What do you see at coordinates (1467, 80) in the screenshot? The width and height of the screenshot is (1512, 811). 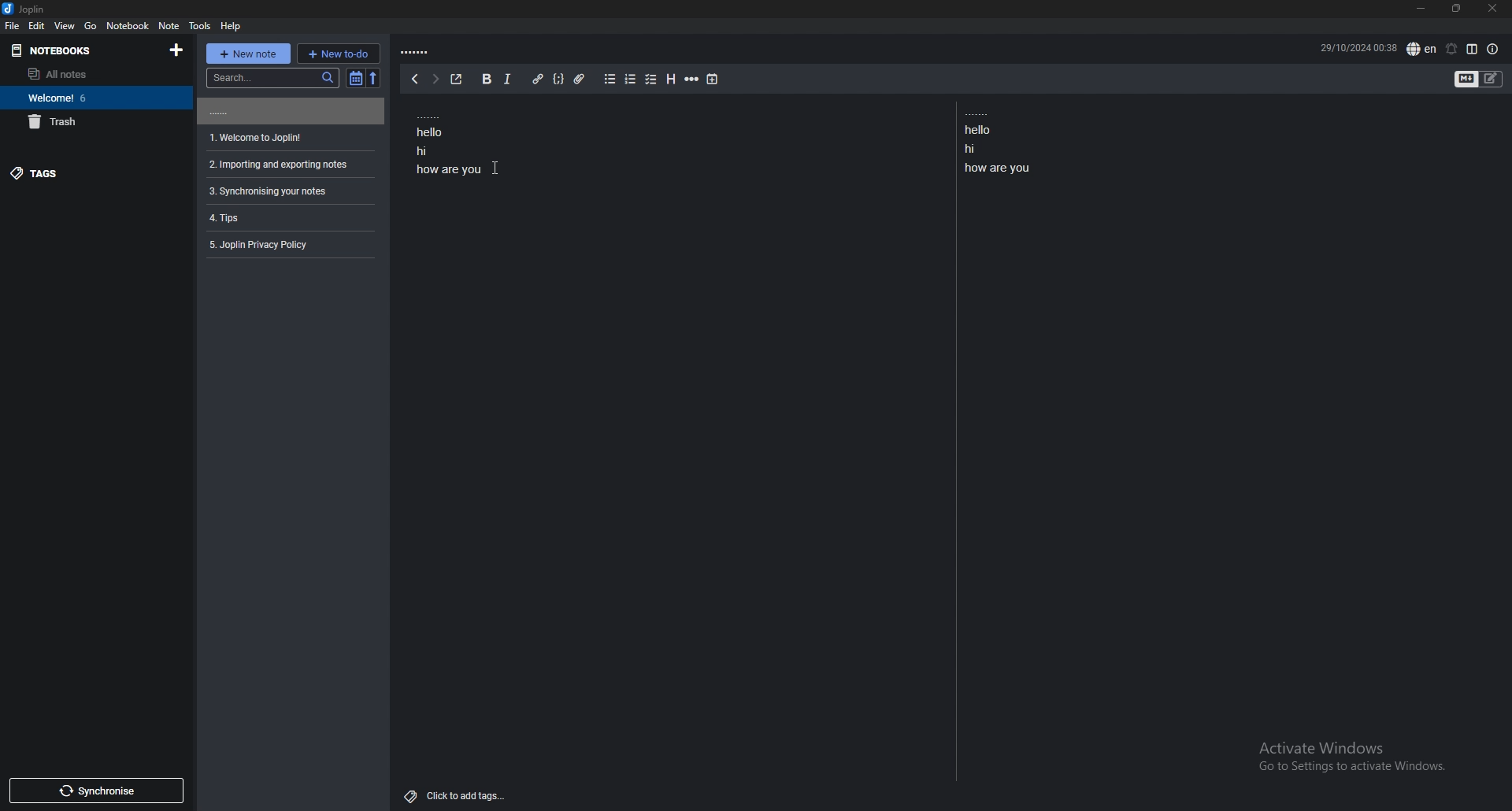 I see `toggle editors` at bounding box center [1467, 80].